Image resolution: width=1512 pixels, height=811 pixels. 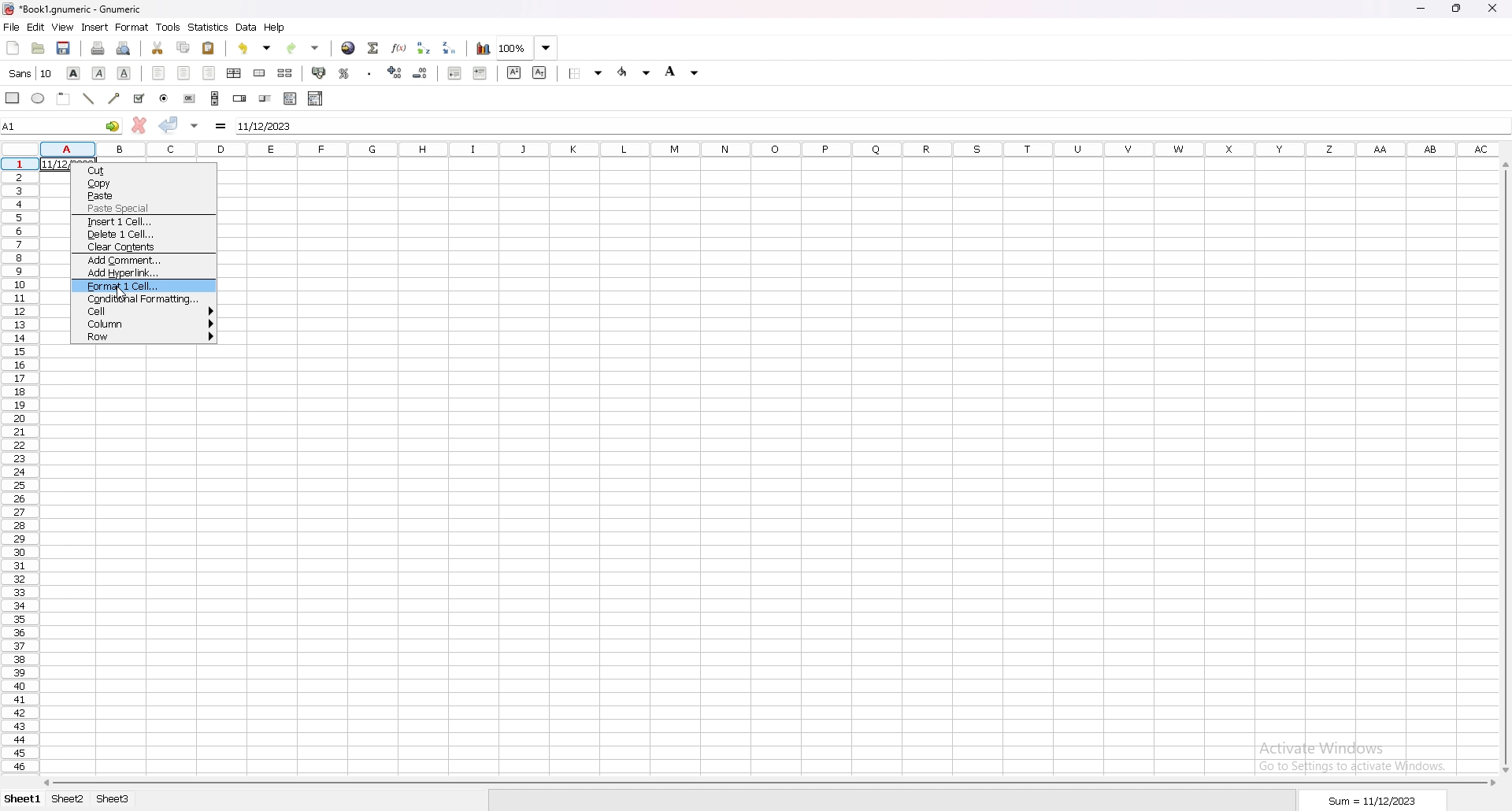 What do you see at coordinates (246, 28) in the screenshot?
I see `data` at bounding box center [246, 28].